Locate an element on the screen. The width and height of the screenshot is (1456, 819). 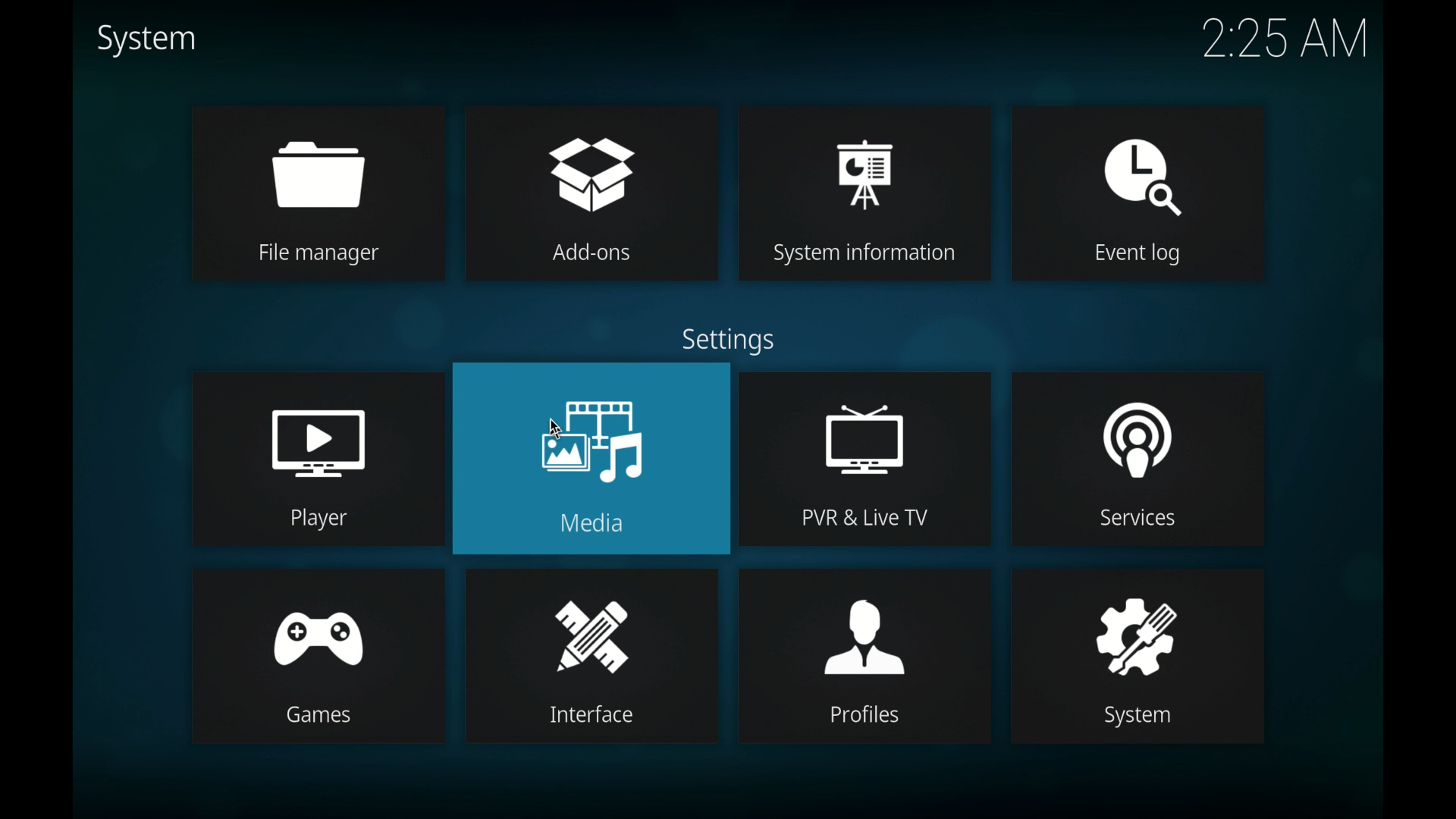
games is located at coordinates (315, 717).